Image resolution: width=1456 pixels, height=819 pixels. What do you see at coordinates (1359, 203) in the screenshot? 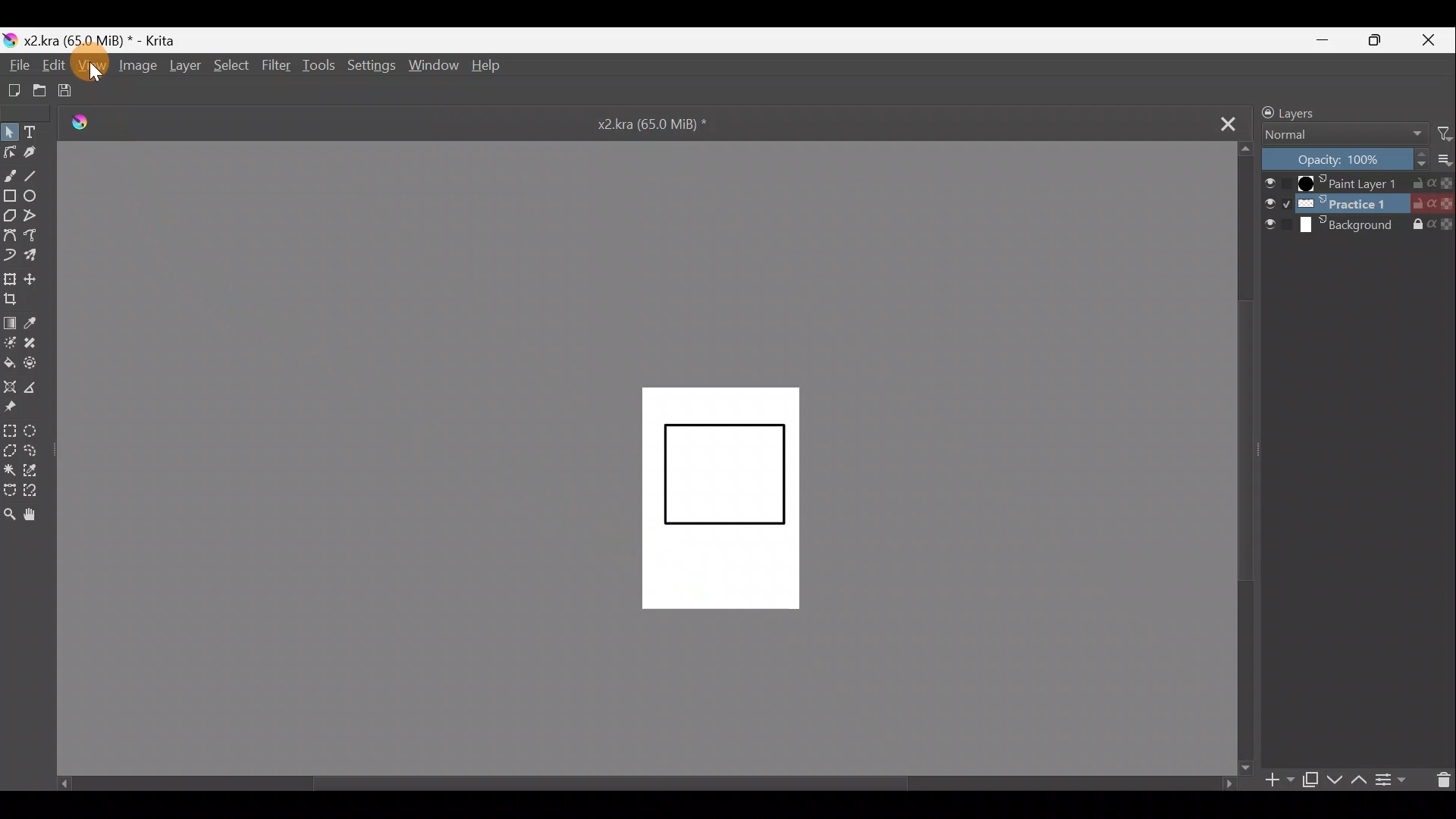
I see `Practice 1` at bounding box center [1359, 203].